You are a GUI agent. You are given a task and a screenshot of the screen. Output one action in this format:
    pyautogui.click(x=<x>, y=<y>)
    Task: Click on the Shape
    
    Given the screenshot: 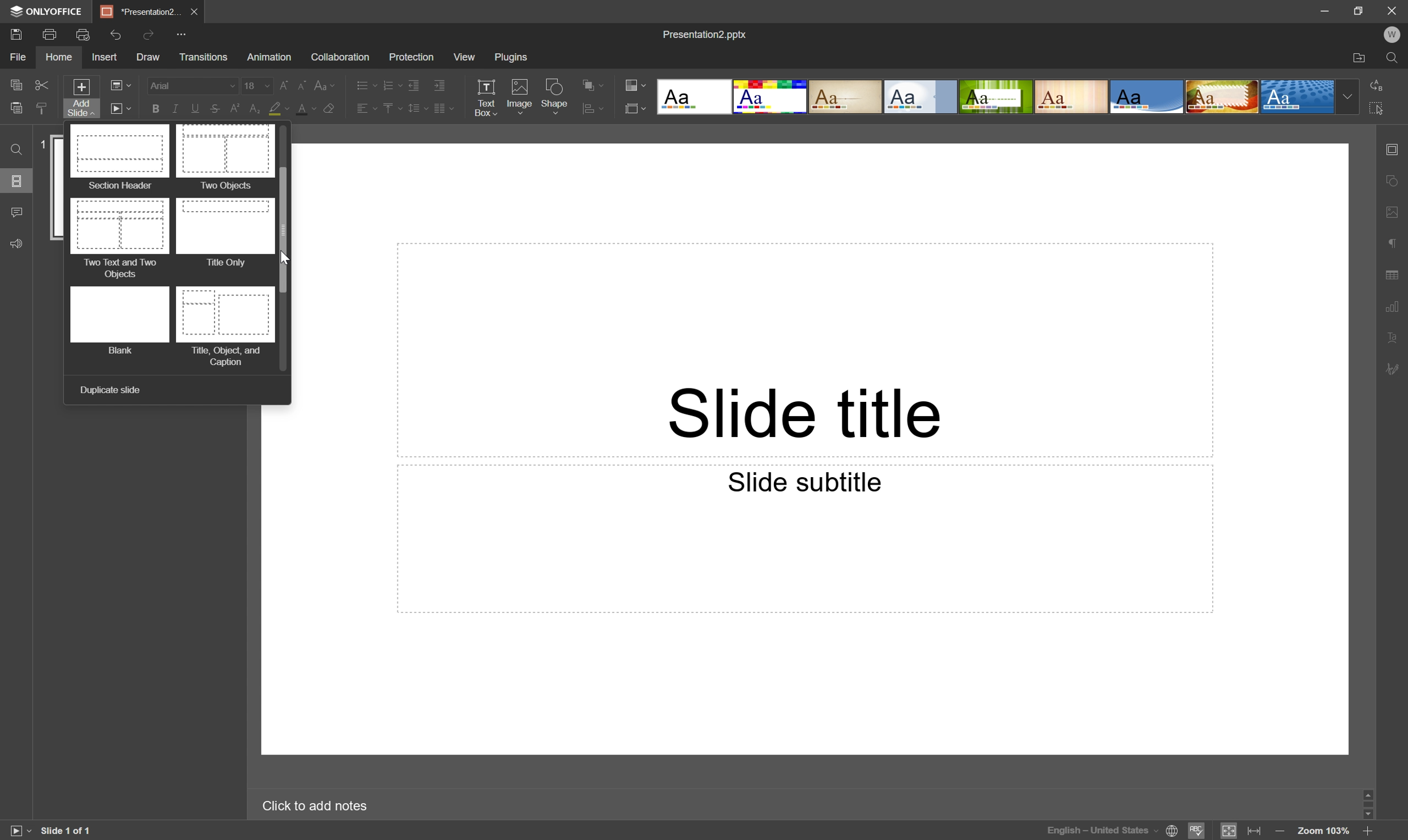 What is the action you would take?
    pyautogui.click(x=557, y=96)
    